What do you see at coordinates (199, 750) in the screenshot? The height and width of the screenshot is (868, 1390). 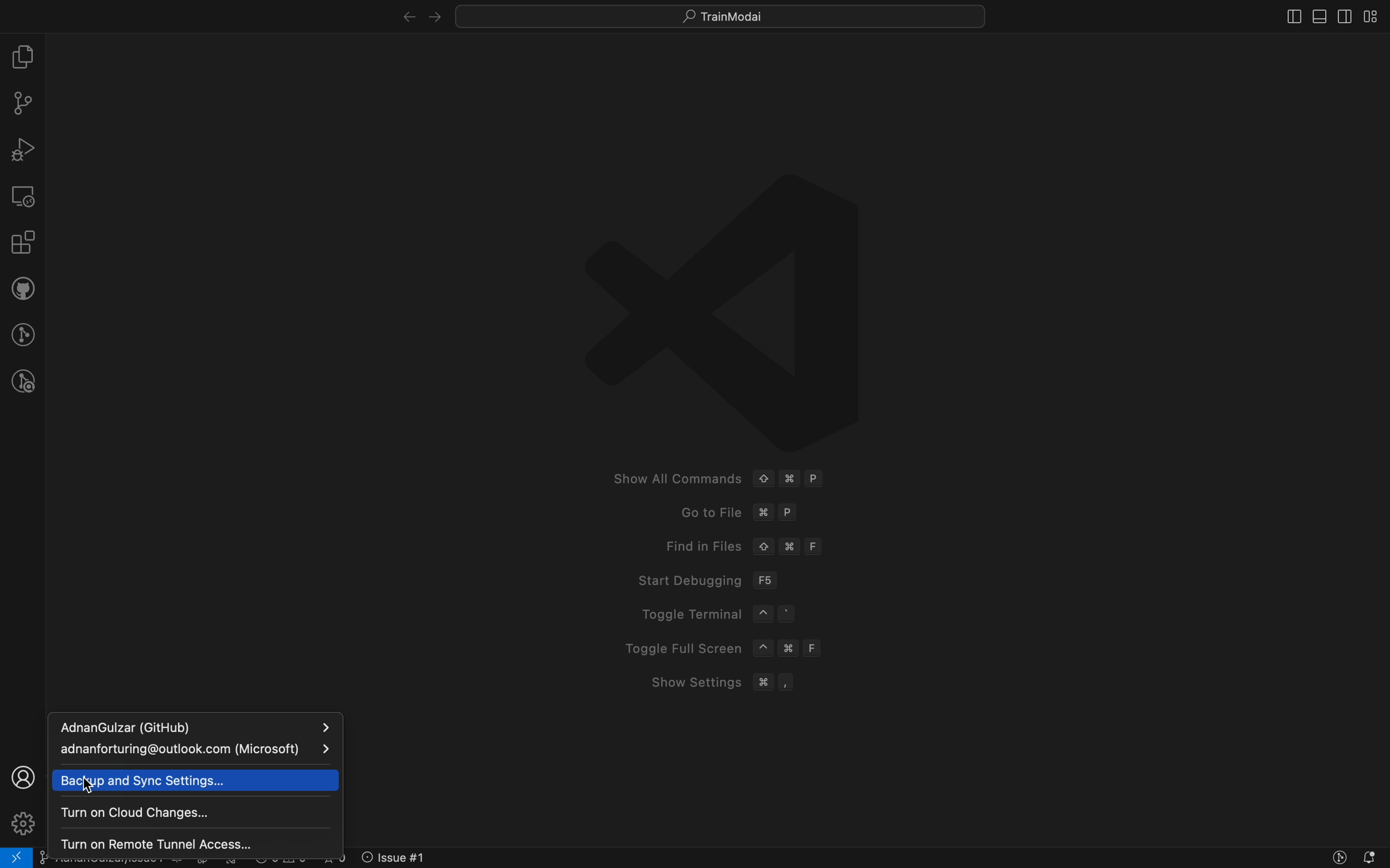 I see `sign in account 2` at bounding box center [199, 750].